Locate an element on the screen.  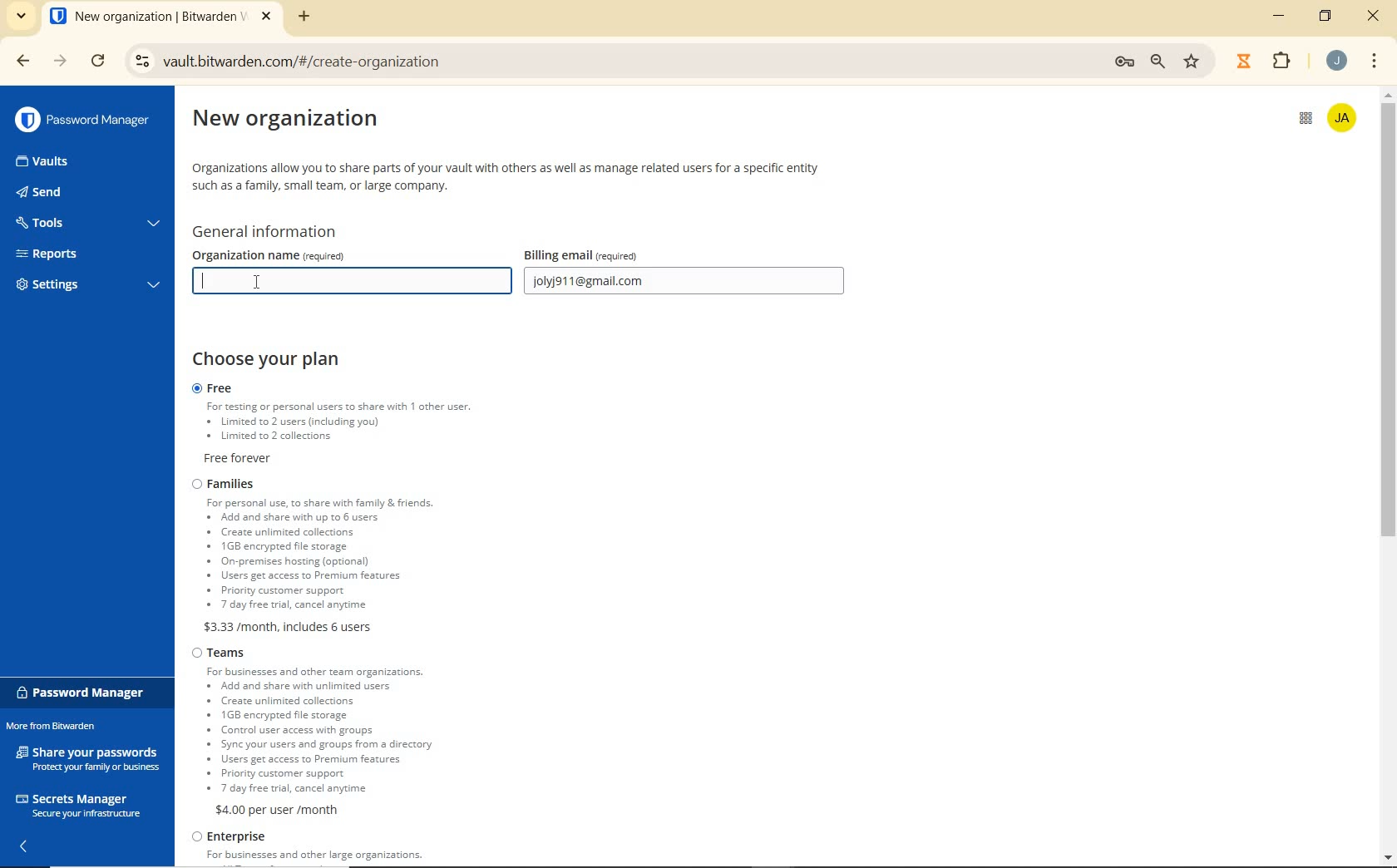
add tab is located at coordinates (304, 16).